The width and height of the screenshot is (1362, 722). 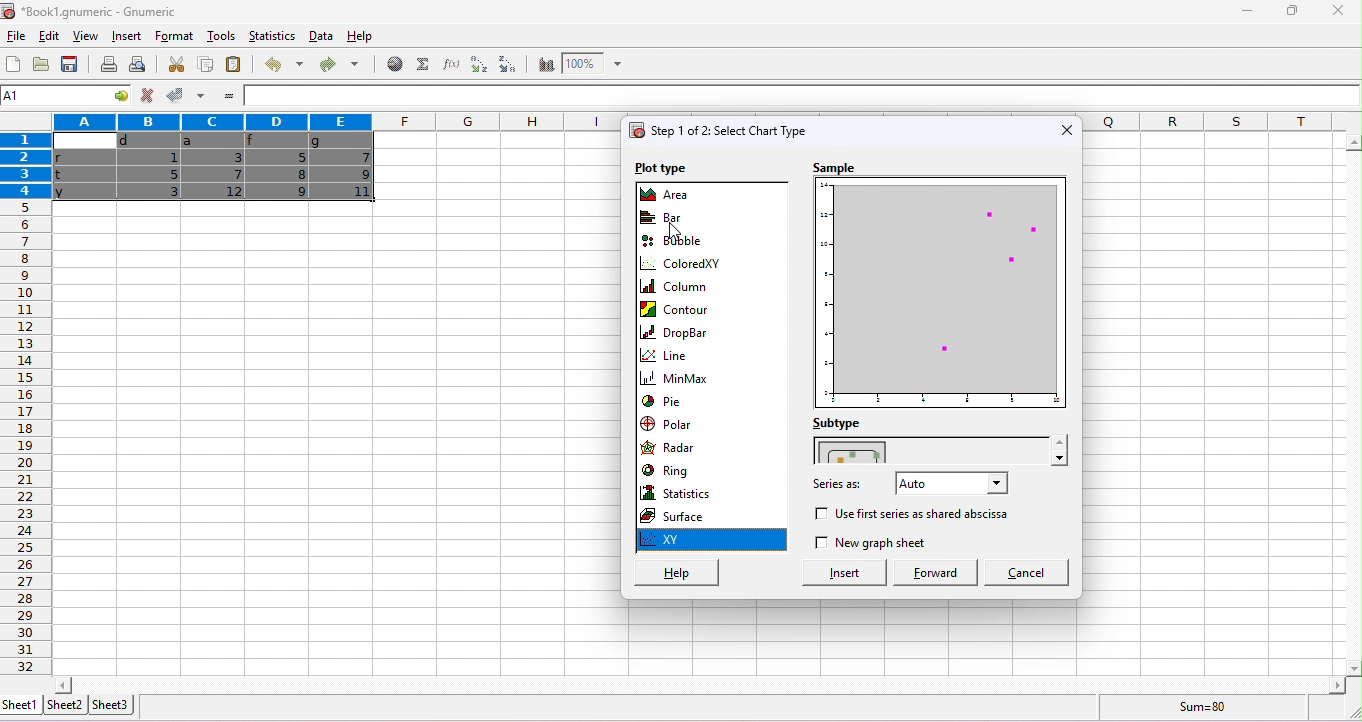 What do you see at coordinates (1027, 574) in the screenshot?
I see `cancel` at bounding box center [1027, 574].